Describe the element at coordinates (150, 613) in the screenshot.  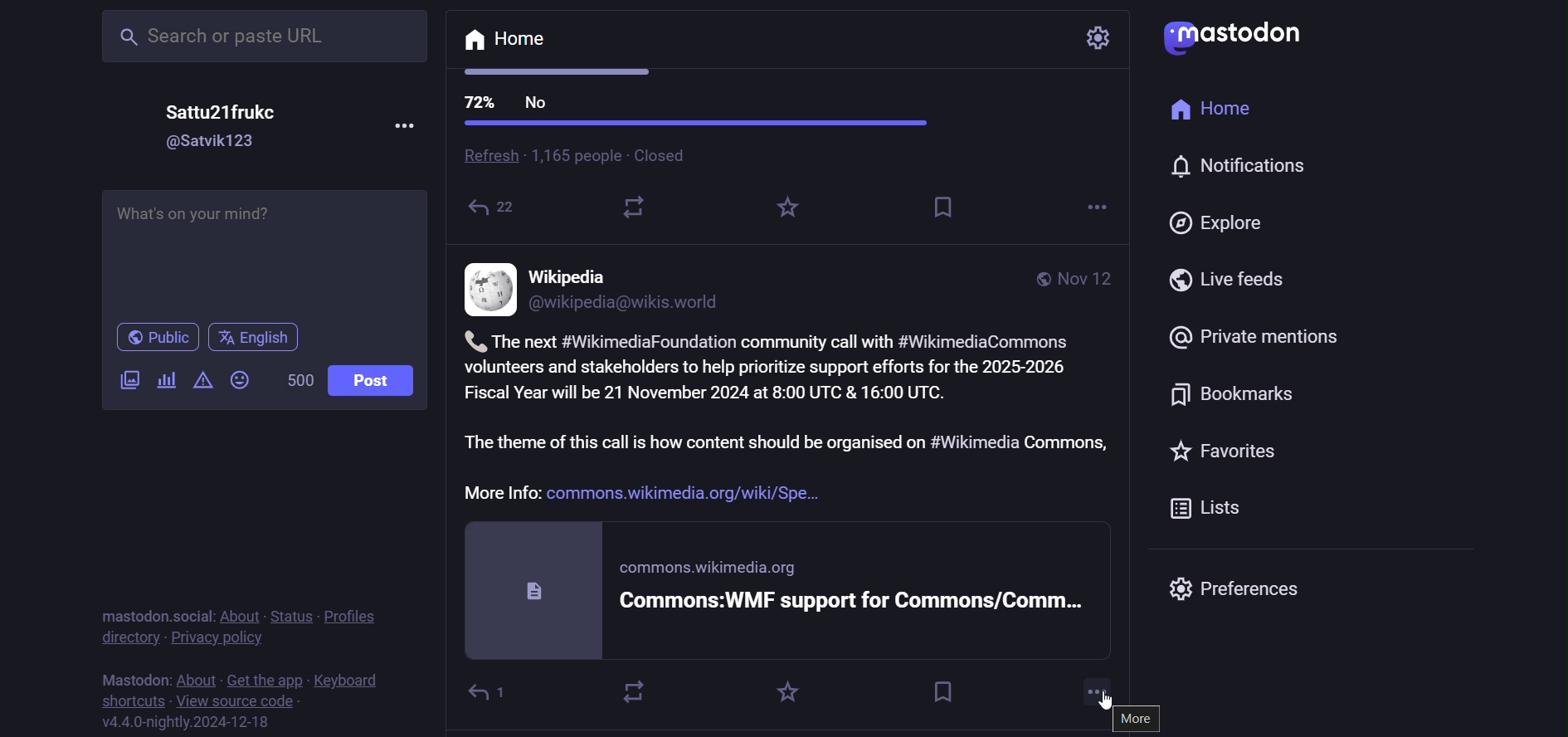
I see `mastodon social` at that location.